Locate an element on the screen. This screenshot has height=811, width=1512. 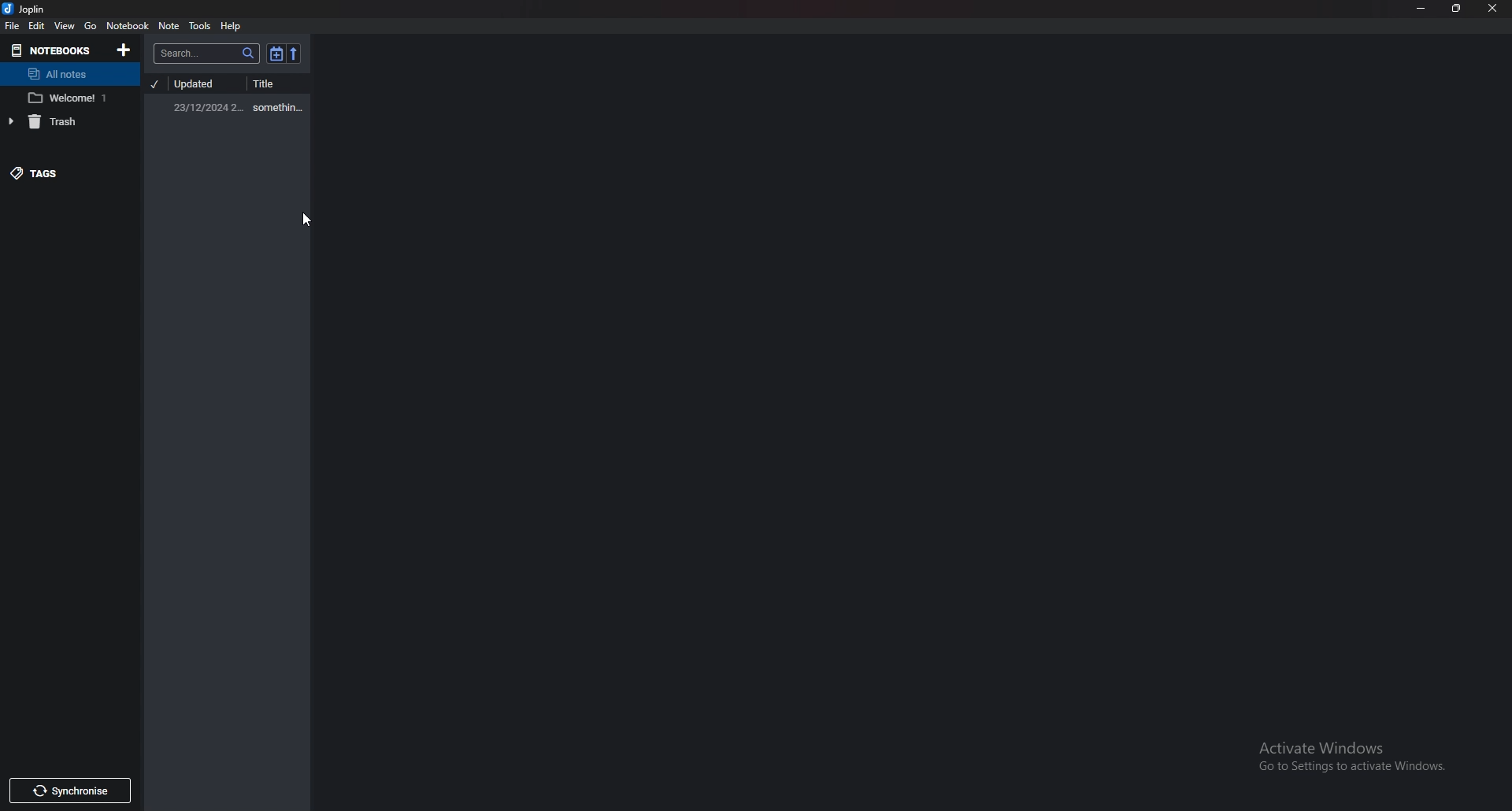
Resize is located at coordinates (1457, 9).